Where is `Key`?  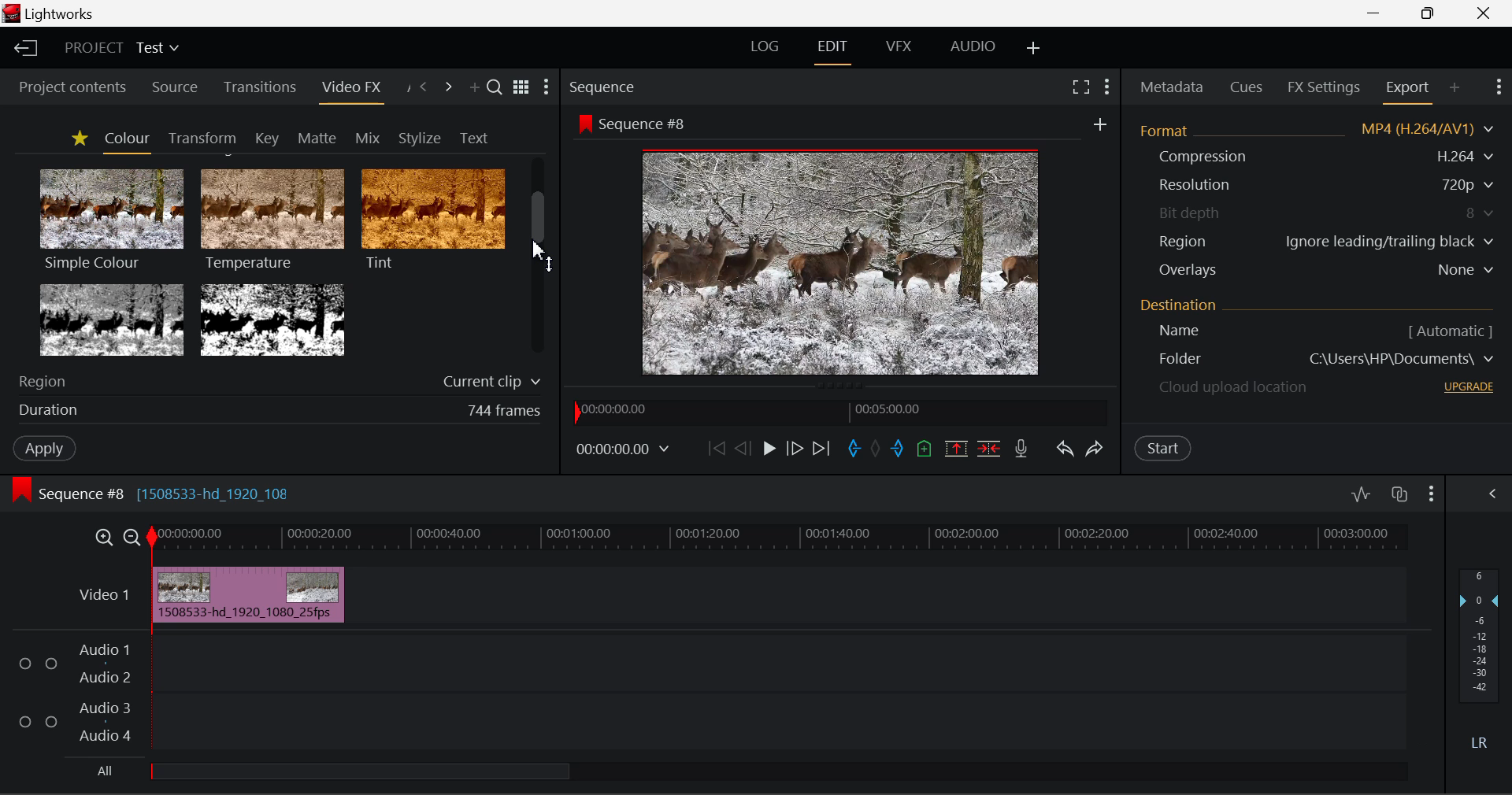 Key is located at coordinates (266, 138).